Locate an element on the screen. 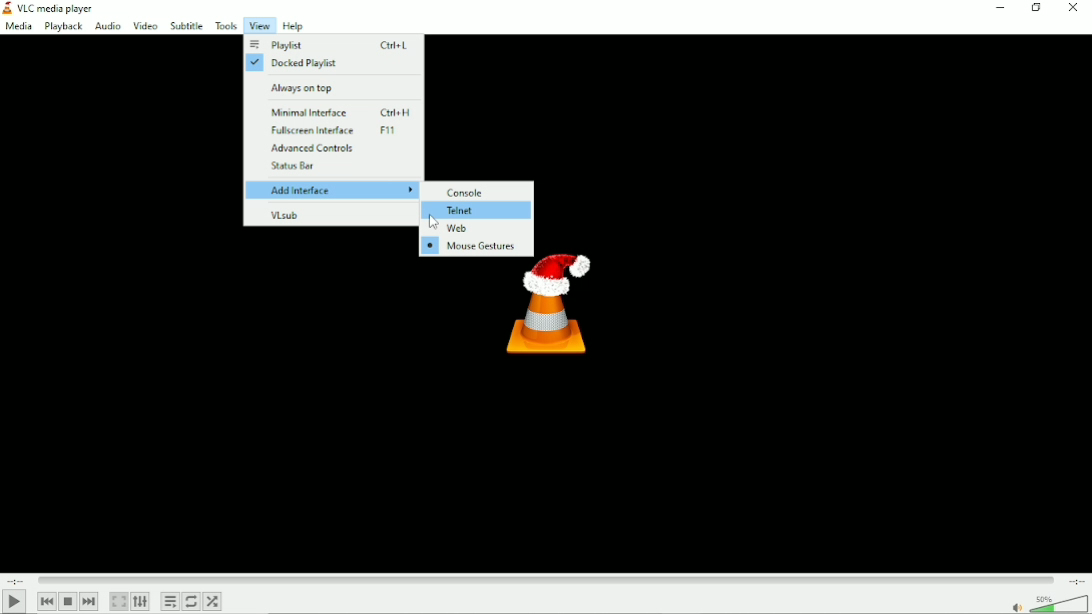  Restore down is located at coordinates (1036, 8).